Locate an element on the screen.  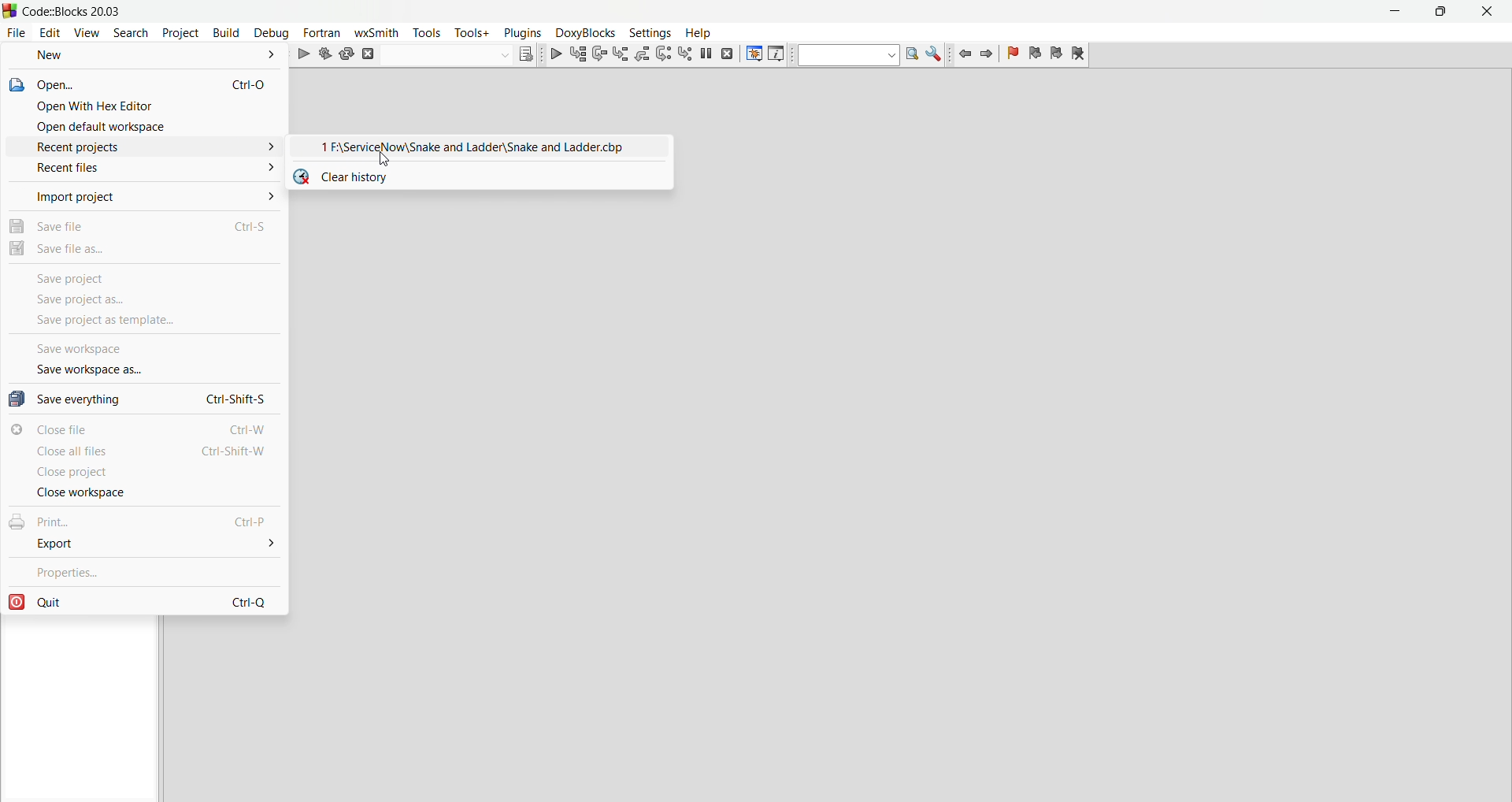
step into is located at coordinates (622, 55).